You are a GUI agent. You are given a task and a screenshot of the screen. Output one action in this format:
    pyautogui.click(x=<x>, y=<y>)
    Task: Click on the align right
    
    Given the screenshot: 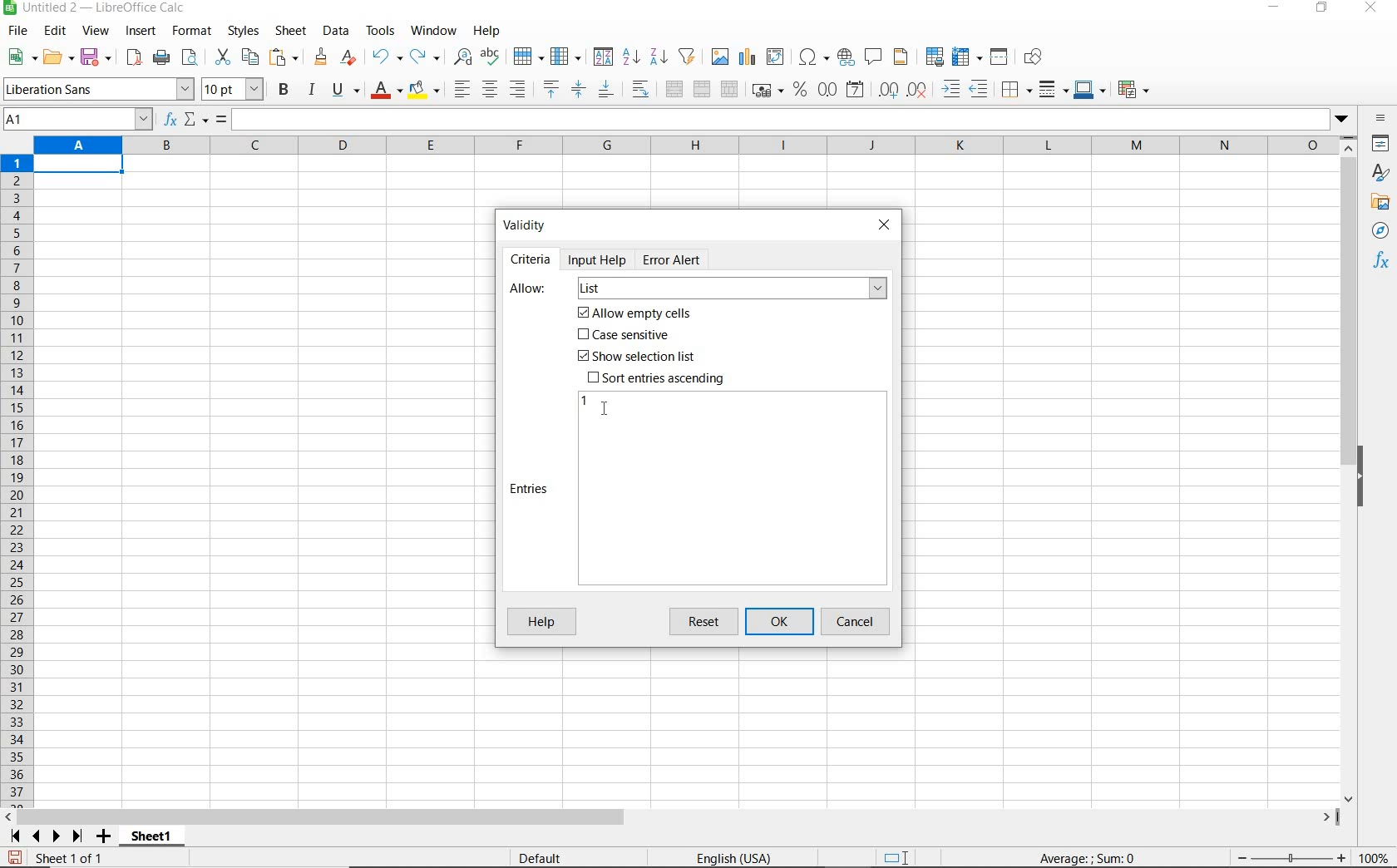 What is the action you would take?
    pyautogui.click(x=519, y=89)
    